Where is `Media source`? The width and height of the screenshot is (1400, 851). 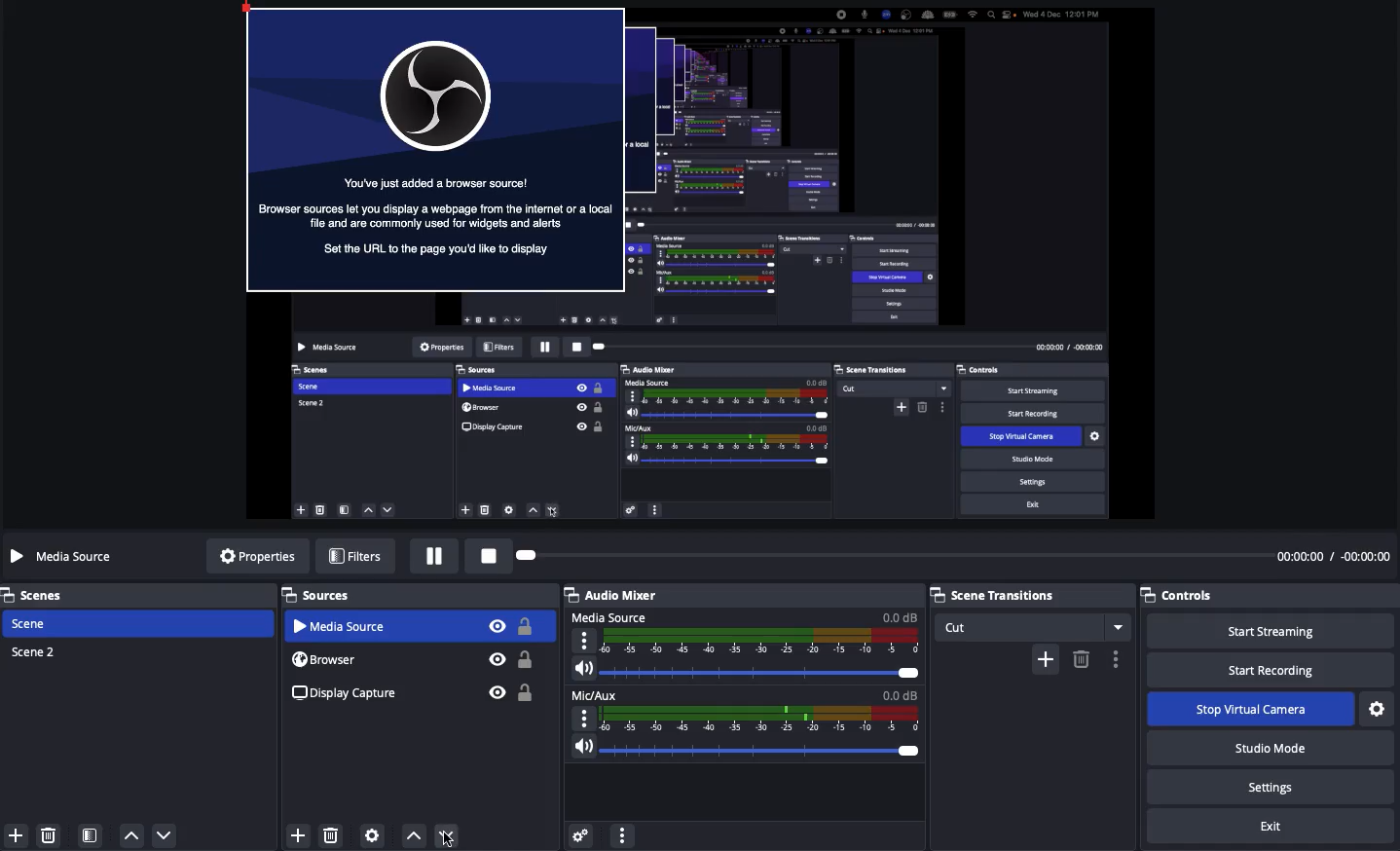
Media source is located at coordinates (744, 632).